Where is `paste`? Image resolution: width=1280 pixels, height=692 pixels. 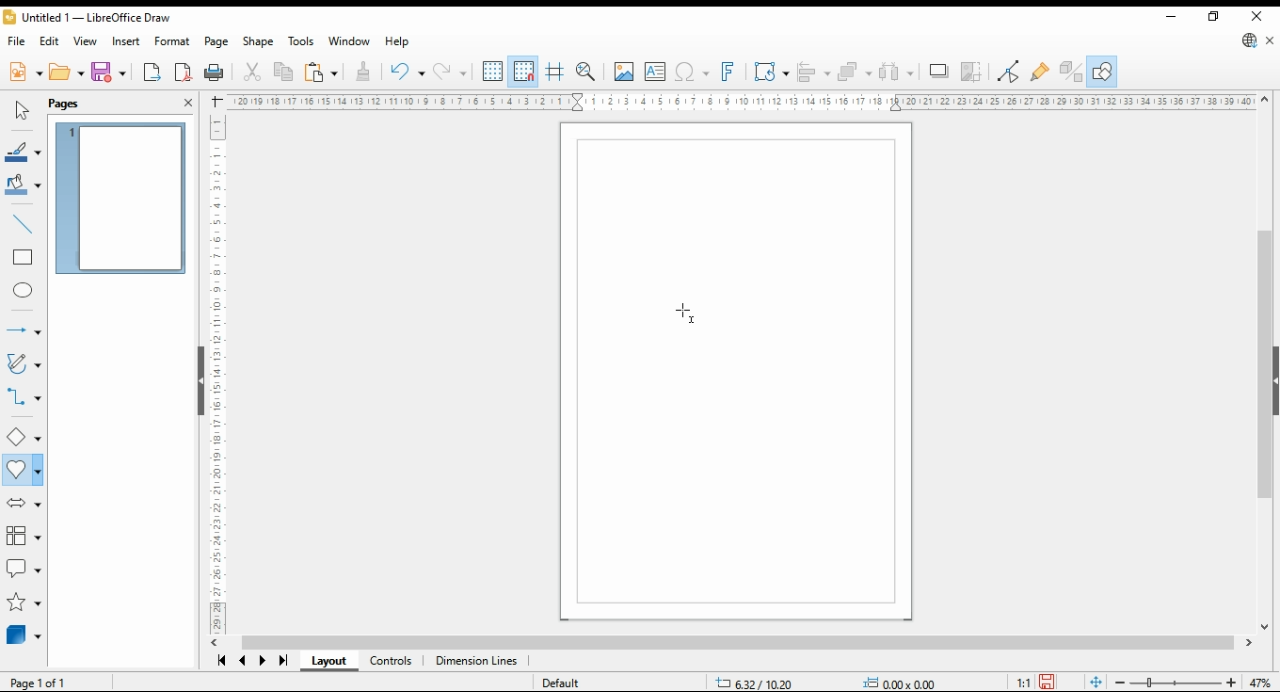
paste is located at coordinates (320, 72).